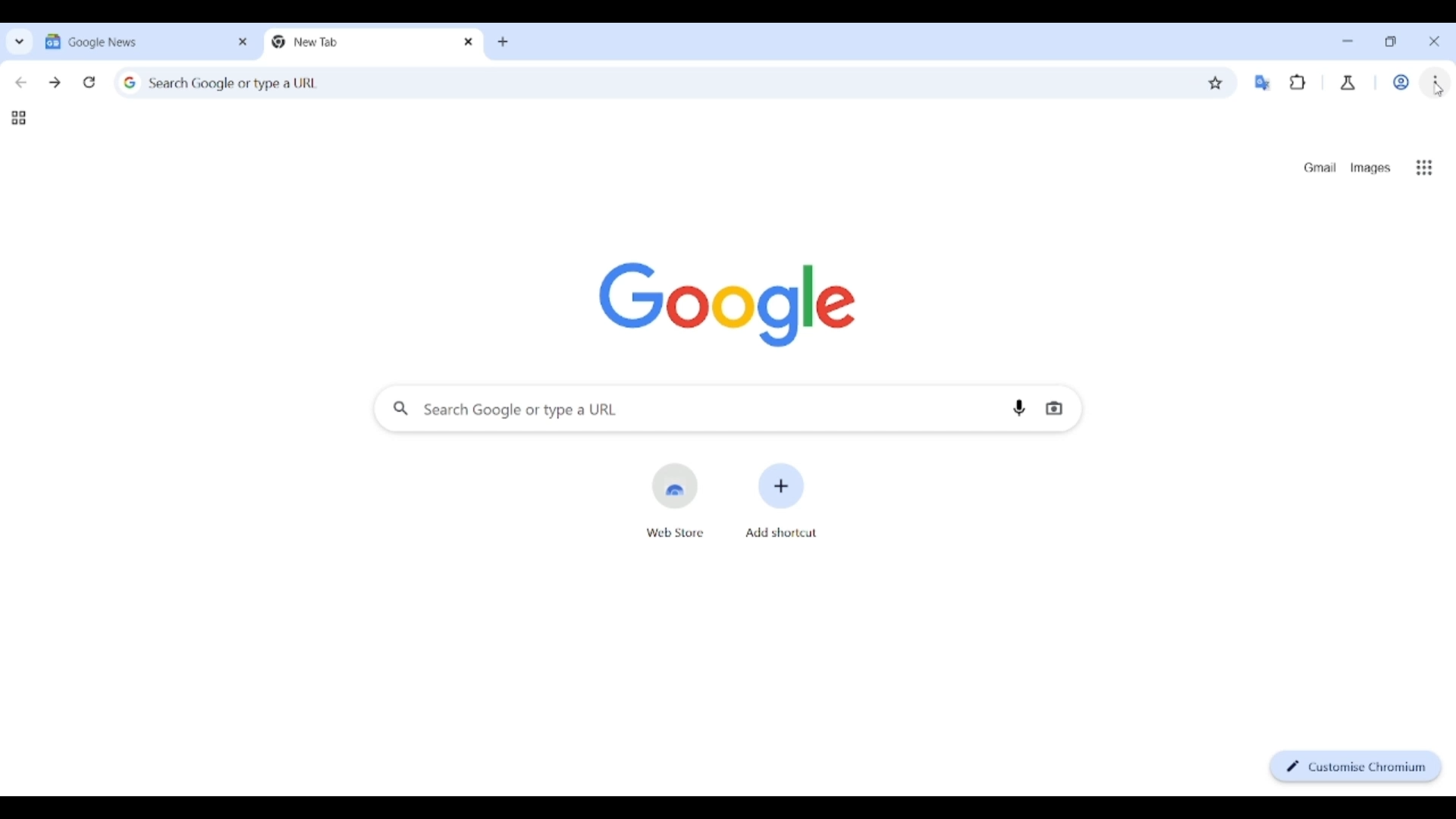 The width and height of the screenshot is (1456, 819). What do you see at coordinates (55, 83) in the screenshot?
I see `Go forward` at bounding box center [55, 83].